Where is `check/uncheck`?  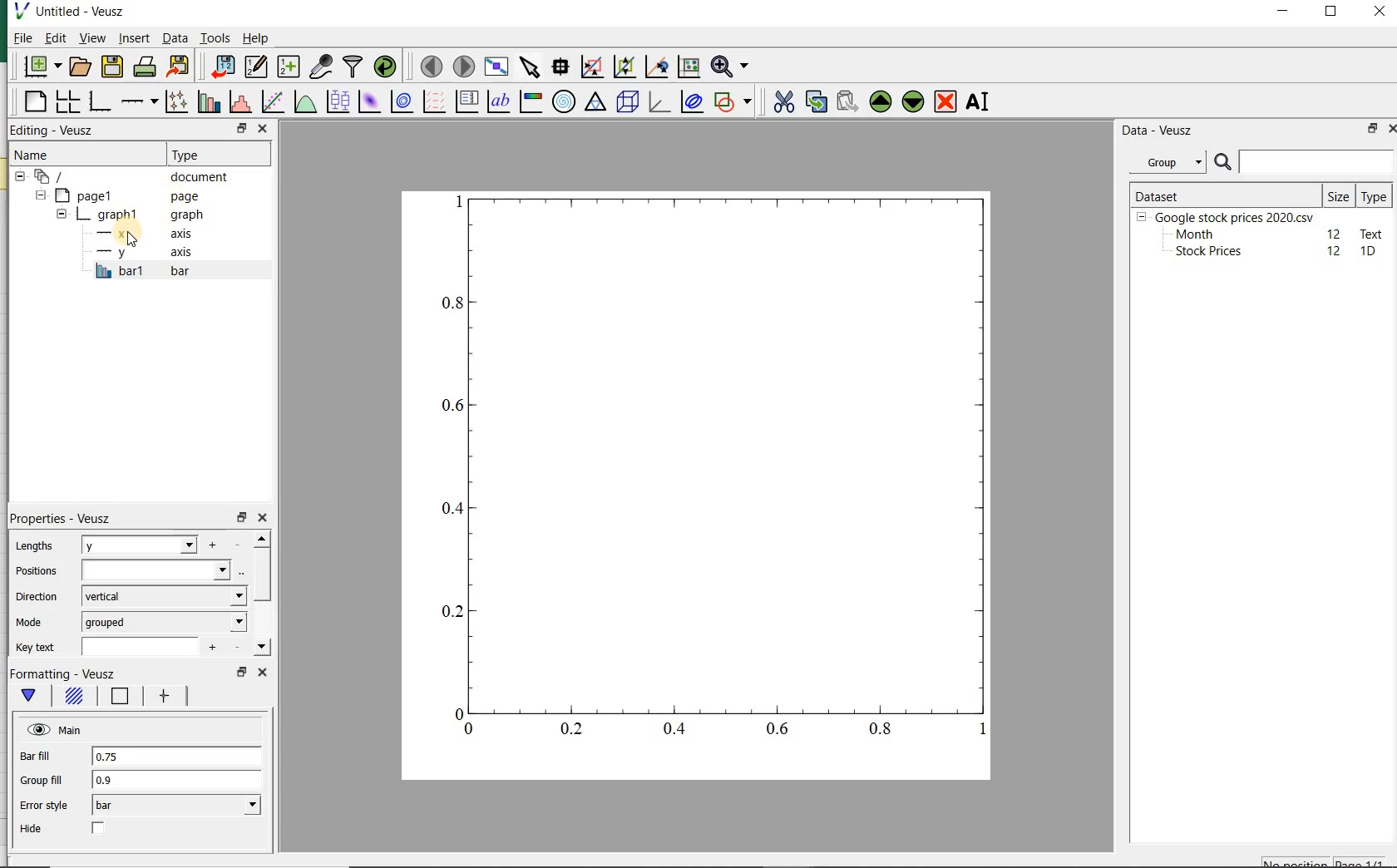 check/uncheck is located at coordinates (99, 828).